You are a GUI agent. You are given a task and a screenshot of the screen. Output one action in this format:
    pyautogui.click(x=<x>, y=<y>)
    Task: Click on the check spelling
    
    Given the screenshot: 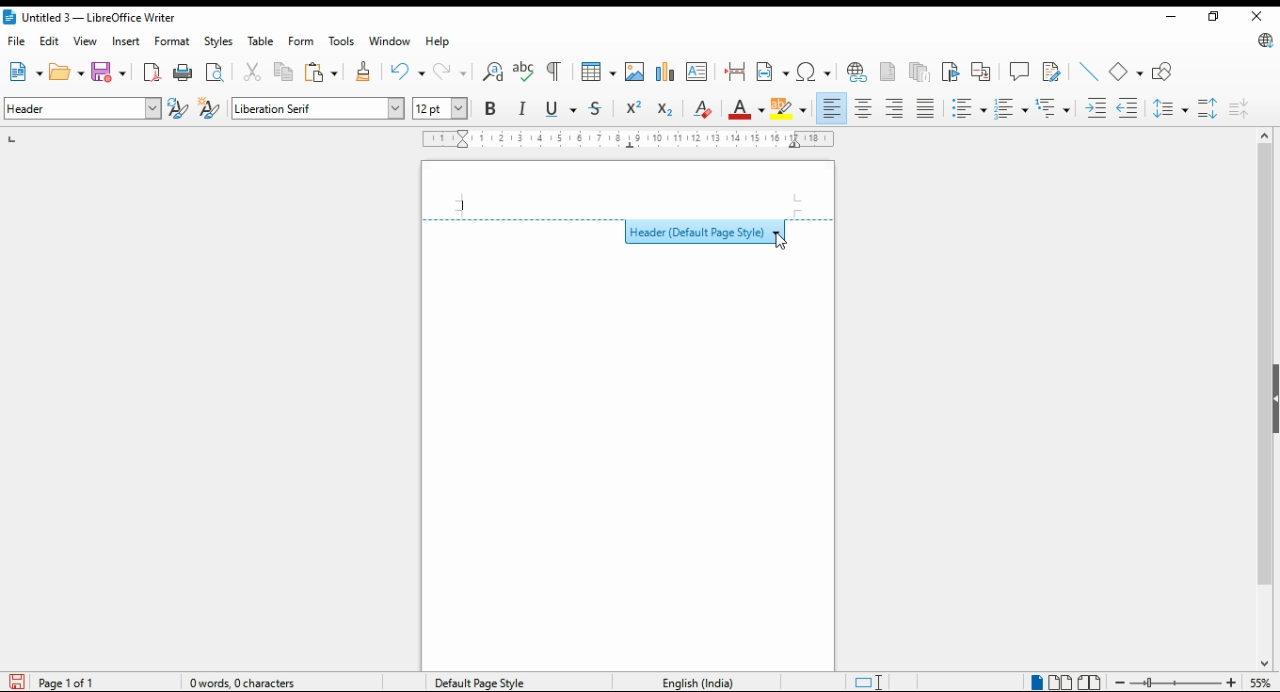 What is the action you would take?
    pyautogui.click(x=524, y=72)
    